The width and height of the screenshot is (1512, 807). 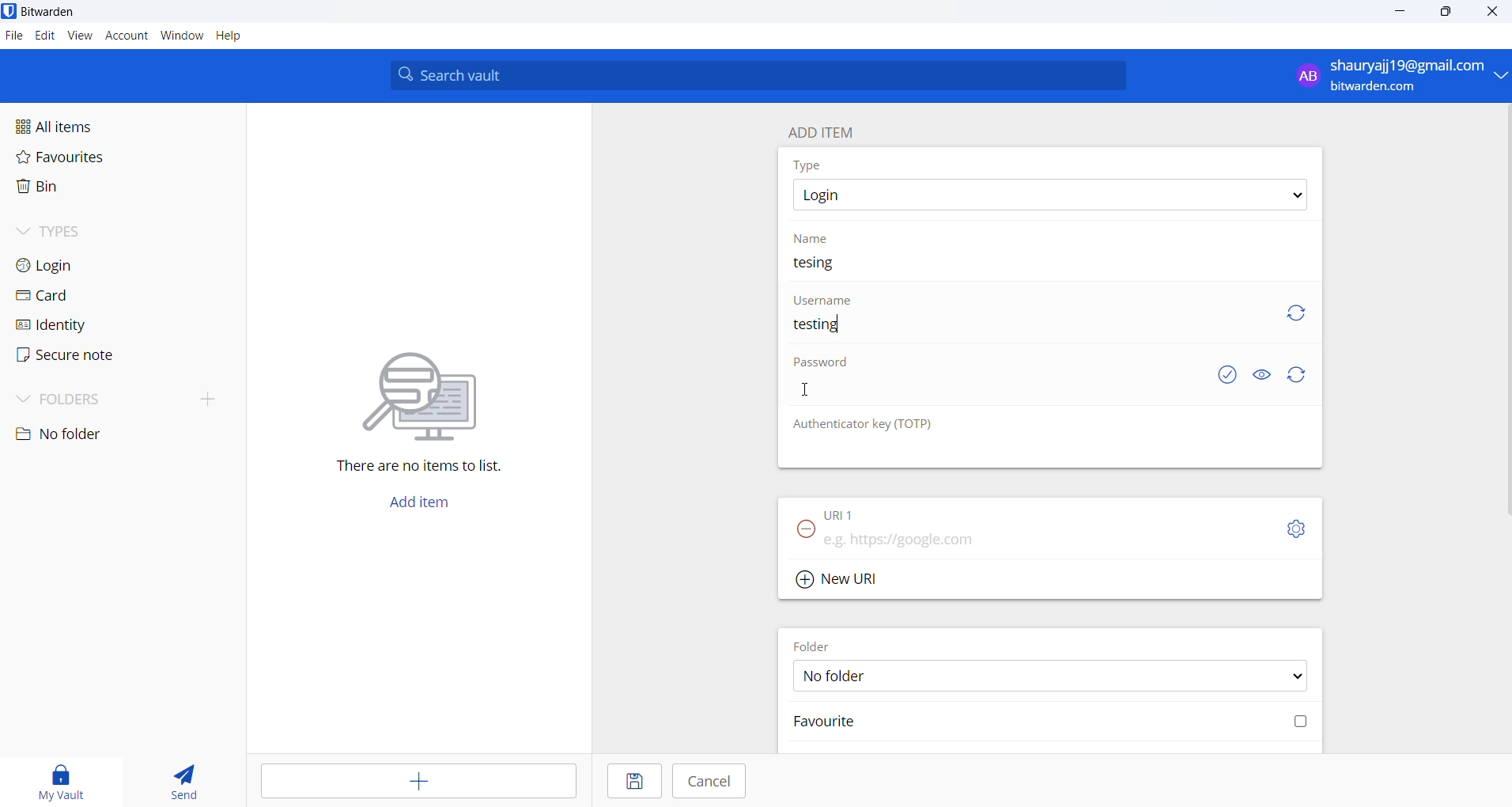 I want to click on check if password is exposed or not, so click(x=1230, y=375).